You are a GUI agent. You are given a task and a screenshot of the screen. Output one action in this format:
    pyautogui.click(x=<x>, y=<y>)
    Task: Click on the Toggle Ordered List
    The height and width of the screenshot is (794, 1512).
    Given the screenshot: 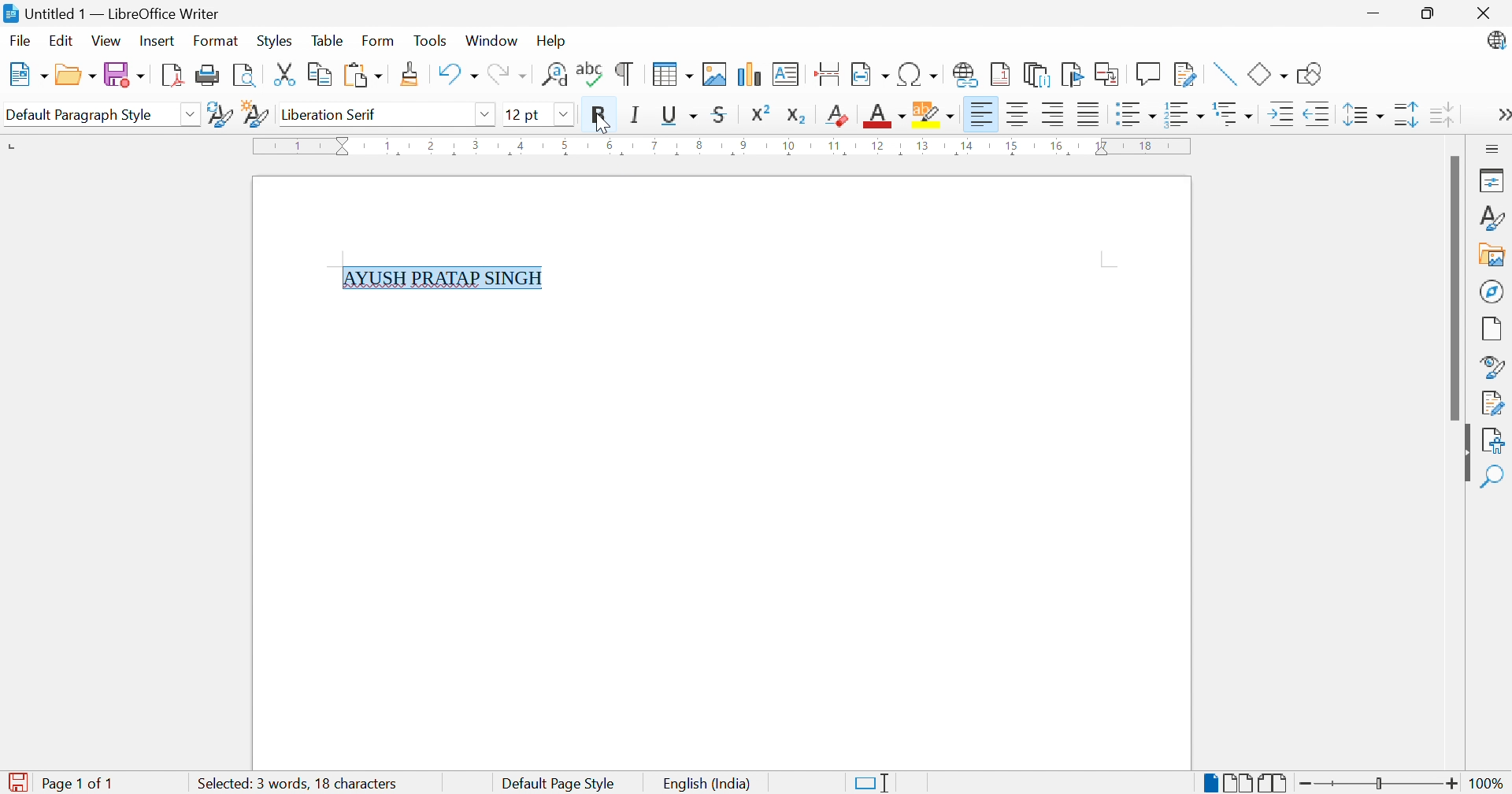 What is the action you would take?
    pyautogui.click(x=1185, y=113)
    